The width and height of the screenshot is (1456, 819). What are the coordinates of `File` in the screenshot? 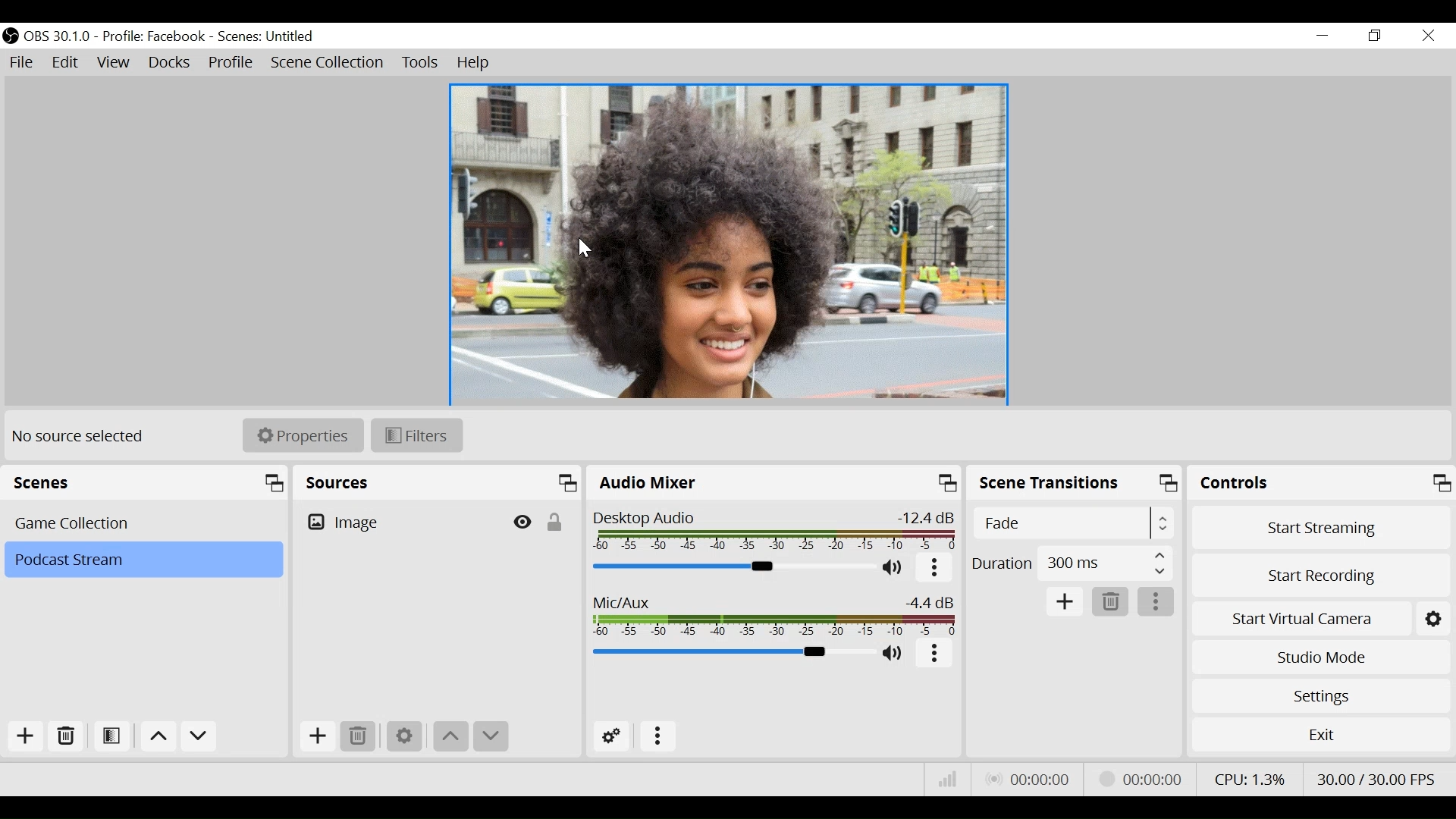 It's located at (24, 64).